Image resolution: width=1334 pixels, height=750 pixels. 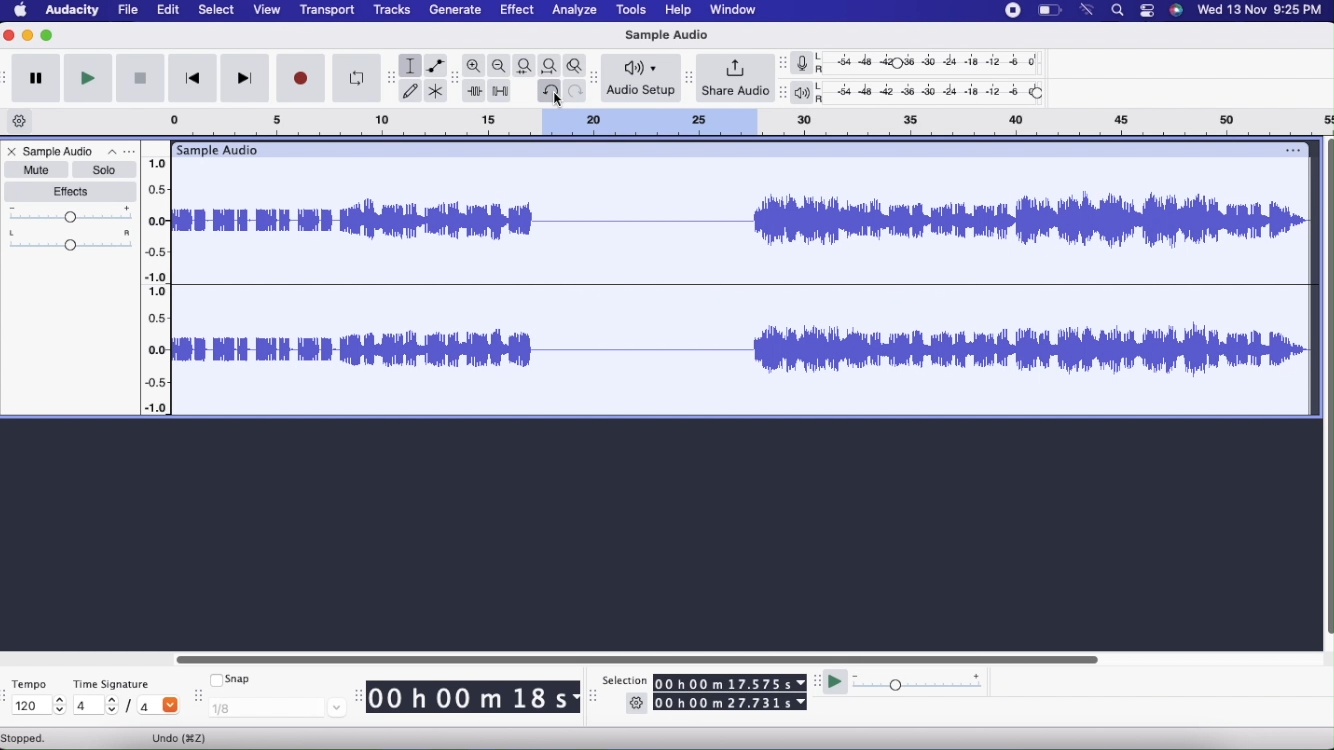 I want to click on Mute, so click(x=38, y=170).